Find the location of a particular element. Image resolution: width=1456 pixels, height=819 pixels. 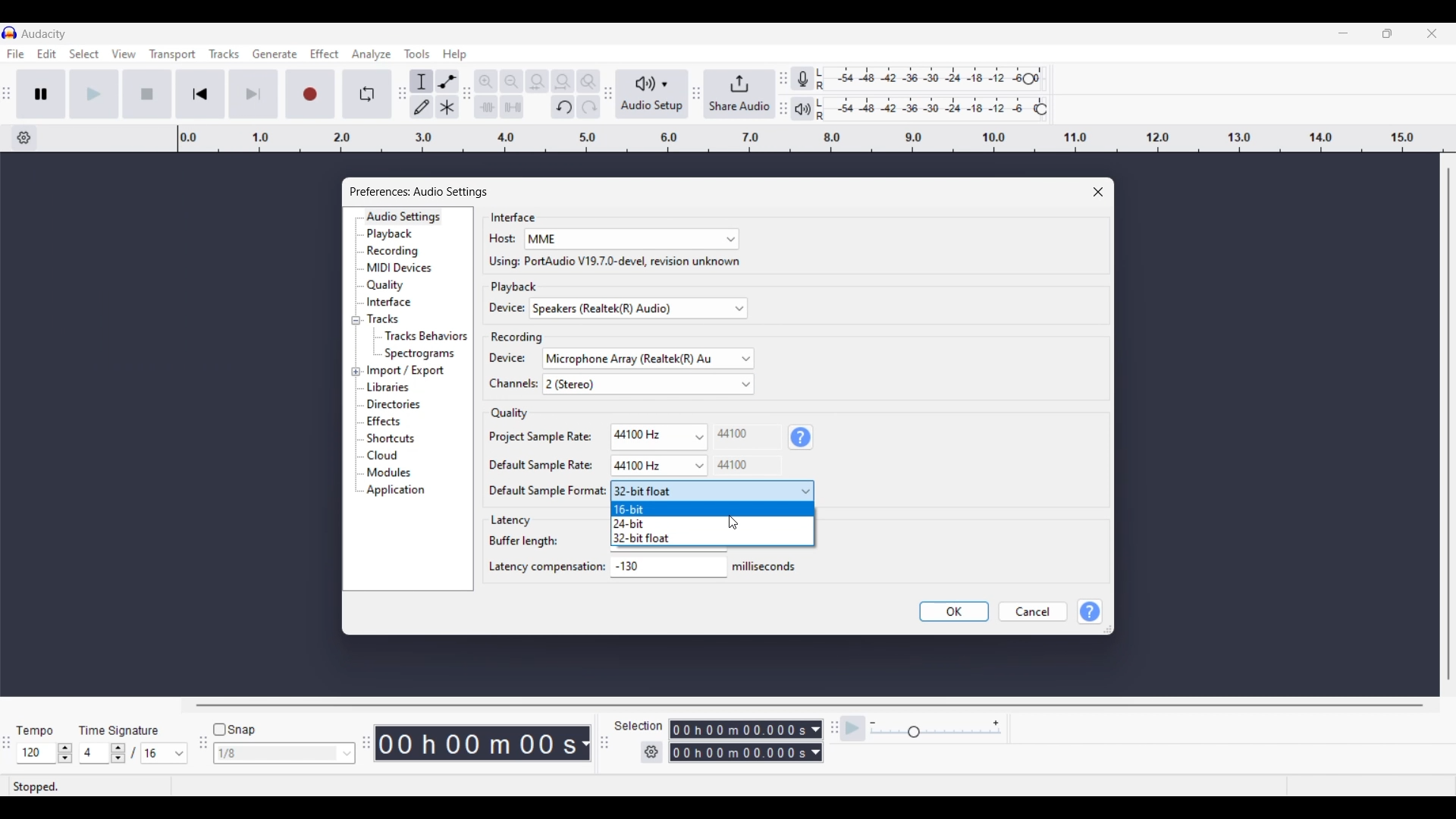

Default sample format options is located at coordinates (711, 491).